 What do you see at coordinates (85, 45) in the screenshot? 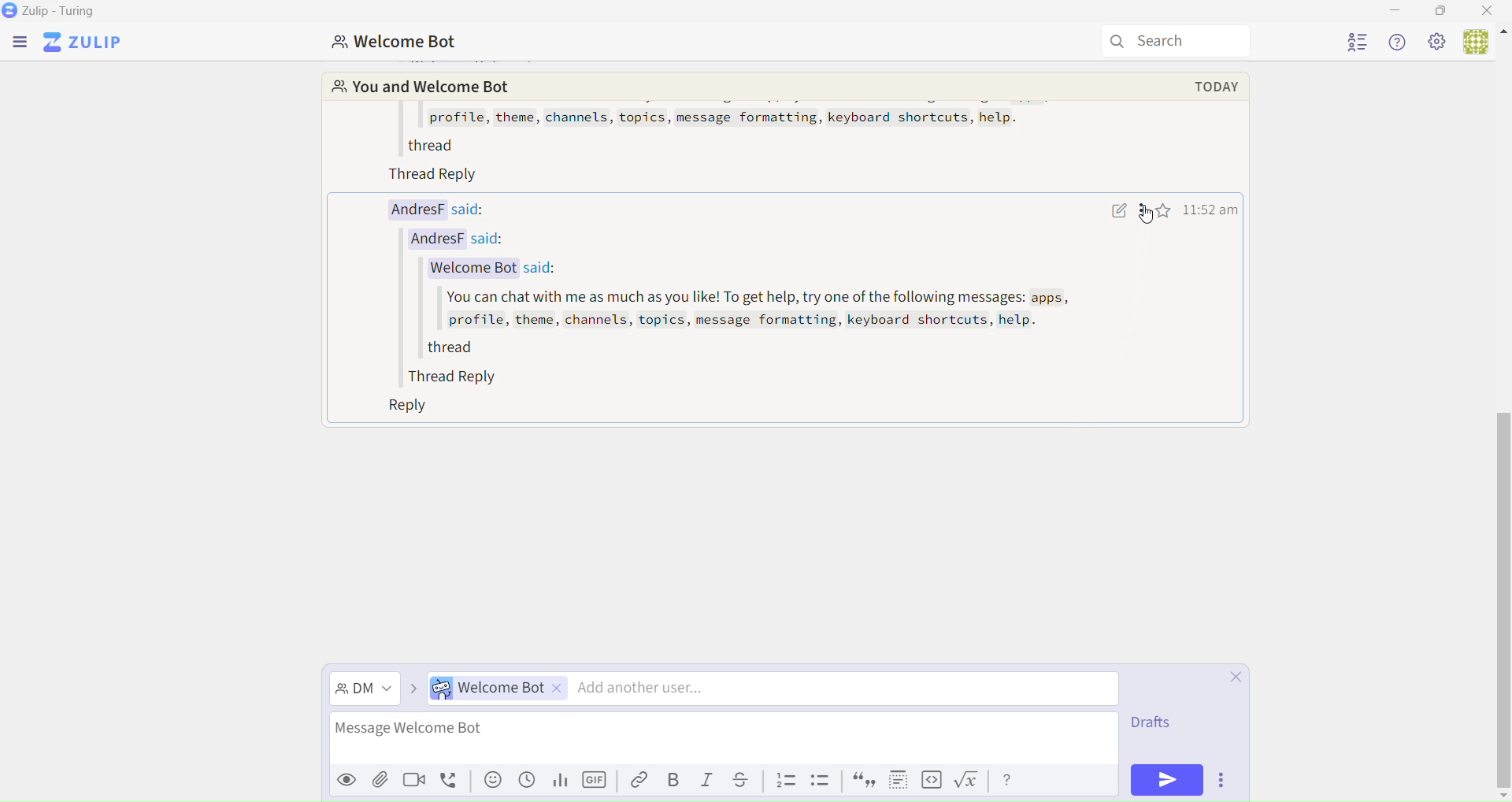
I see `Zulip` at bounding box center [85, 45].